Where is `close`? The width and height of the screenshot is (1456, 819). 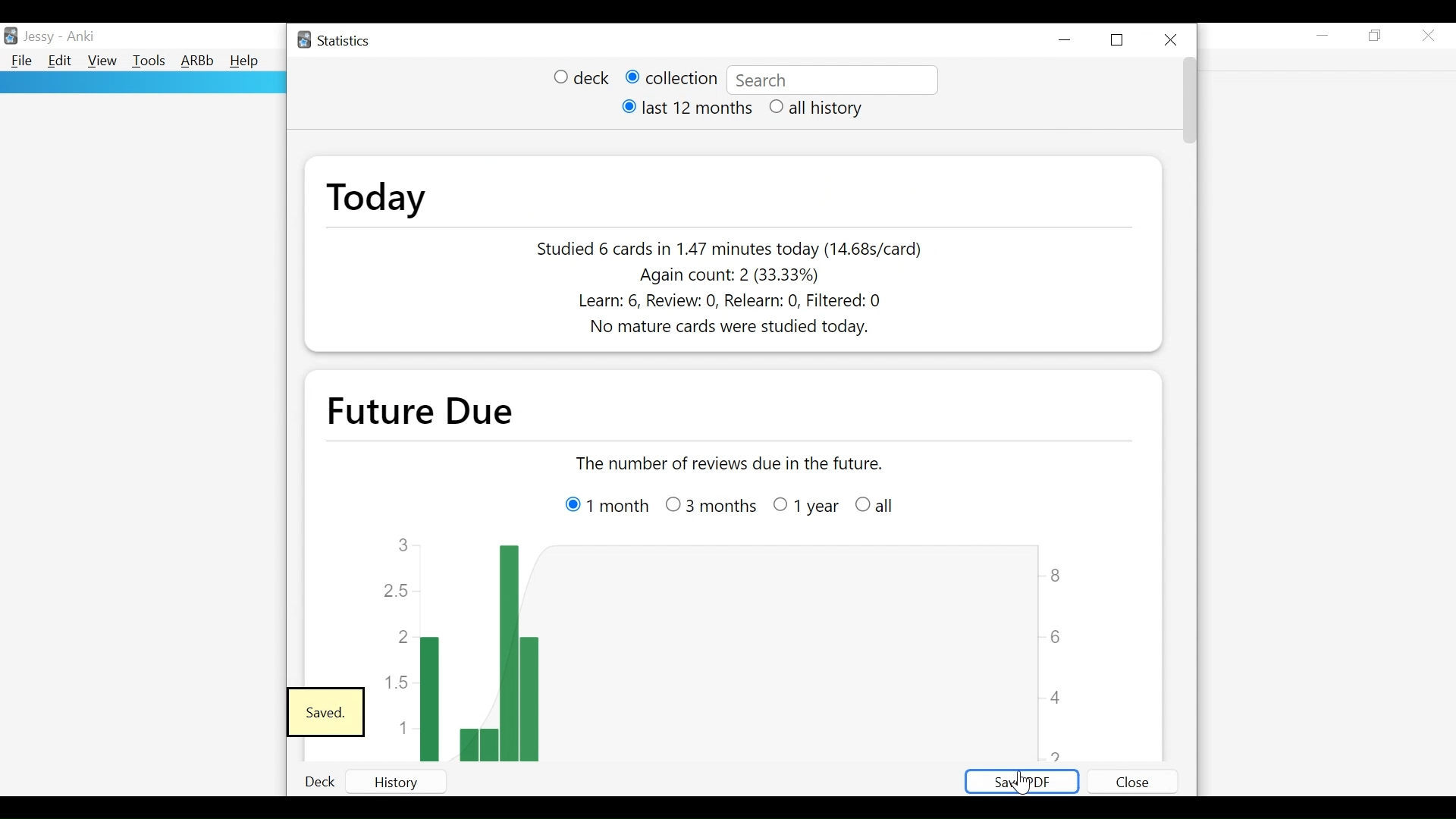
close is located at coordinates (1130, 778).